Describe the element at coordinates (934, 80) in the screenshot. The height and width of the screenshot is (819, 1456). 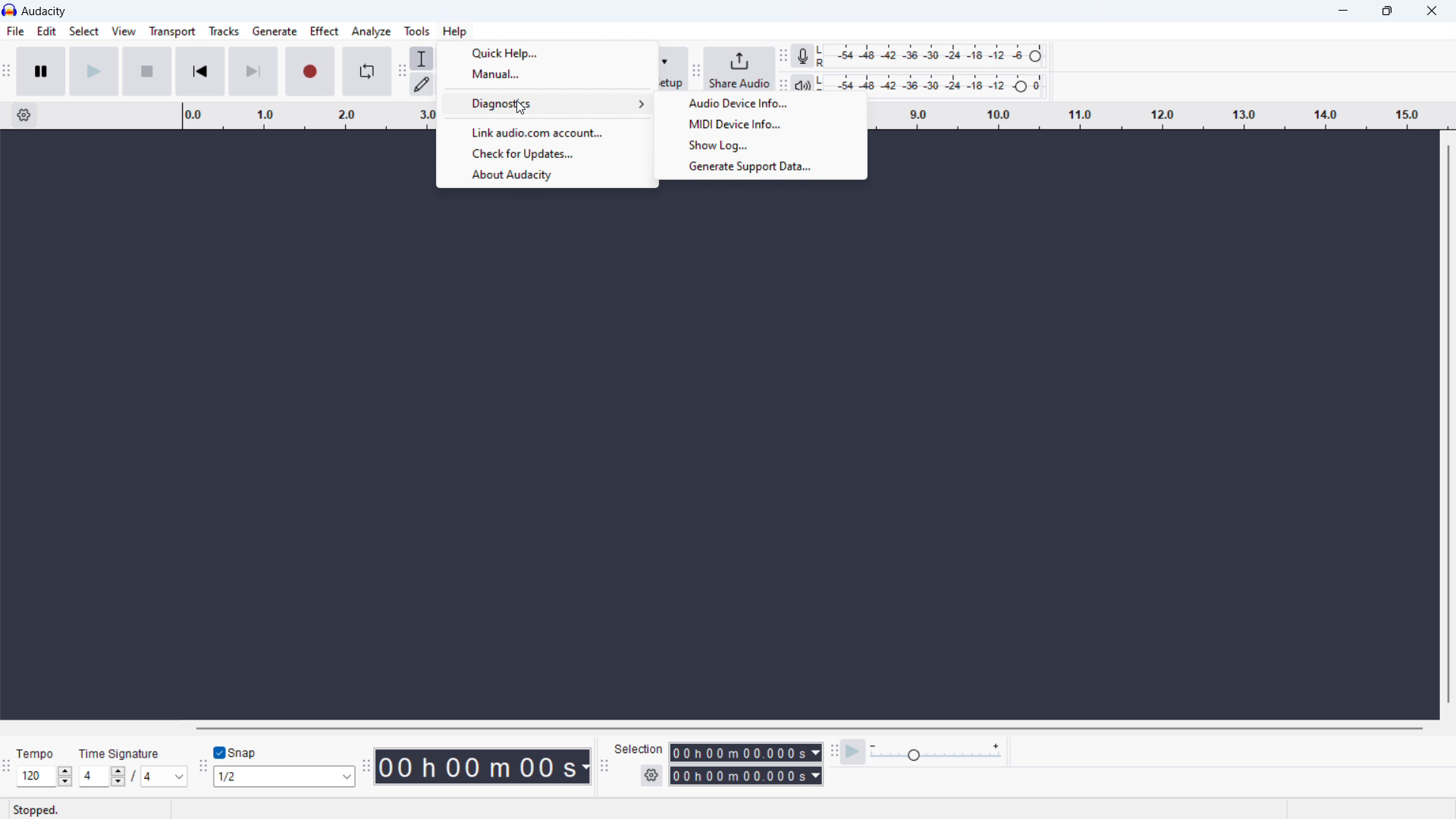
I see `playback level` at that location.